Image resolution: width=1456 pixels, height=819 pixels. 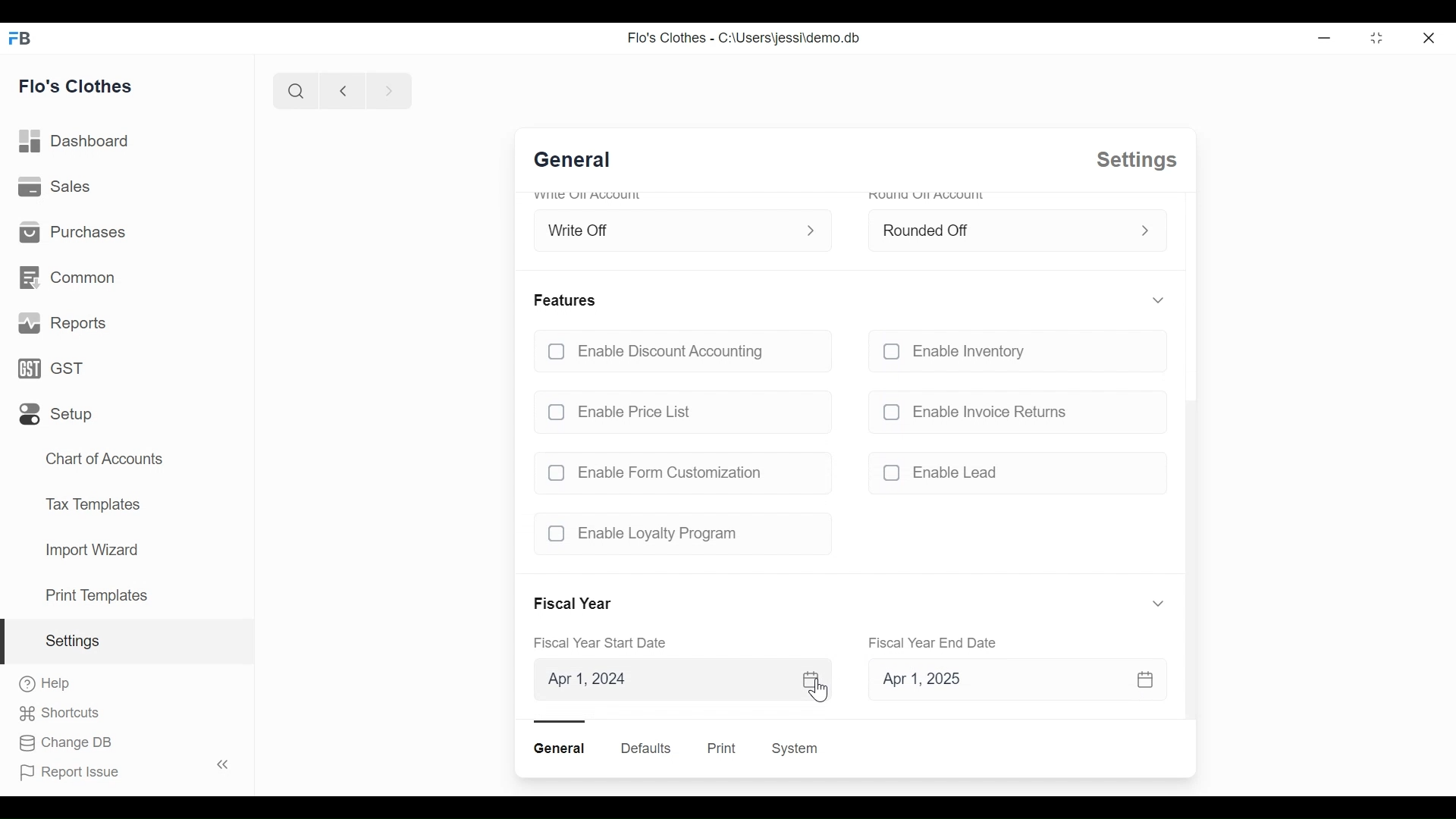 I want to click on Navigate back, so click(x=340, y=90).